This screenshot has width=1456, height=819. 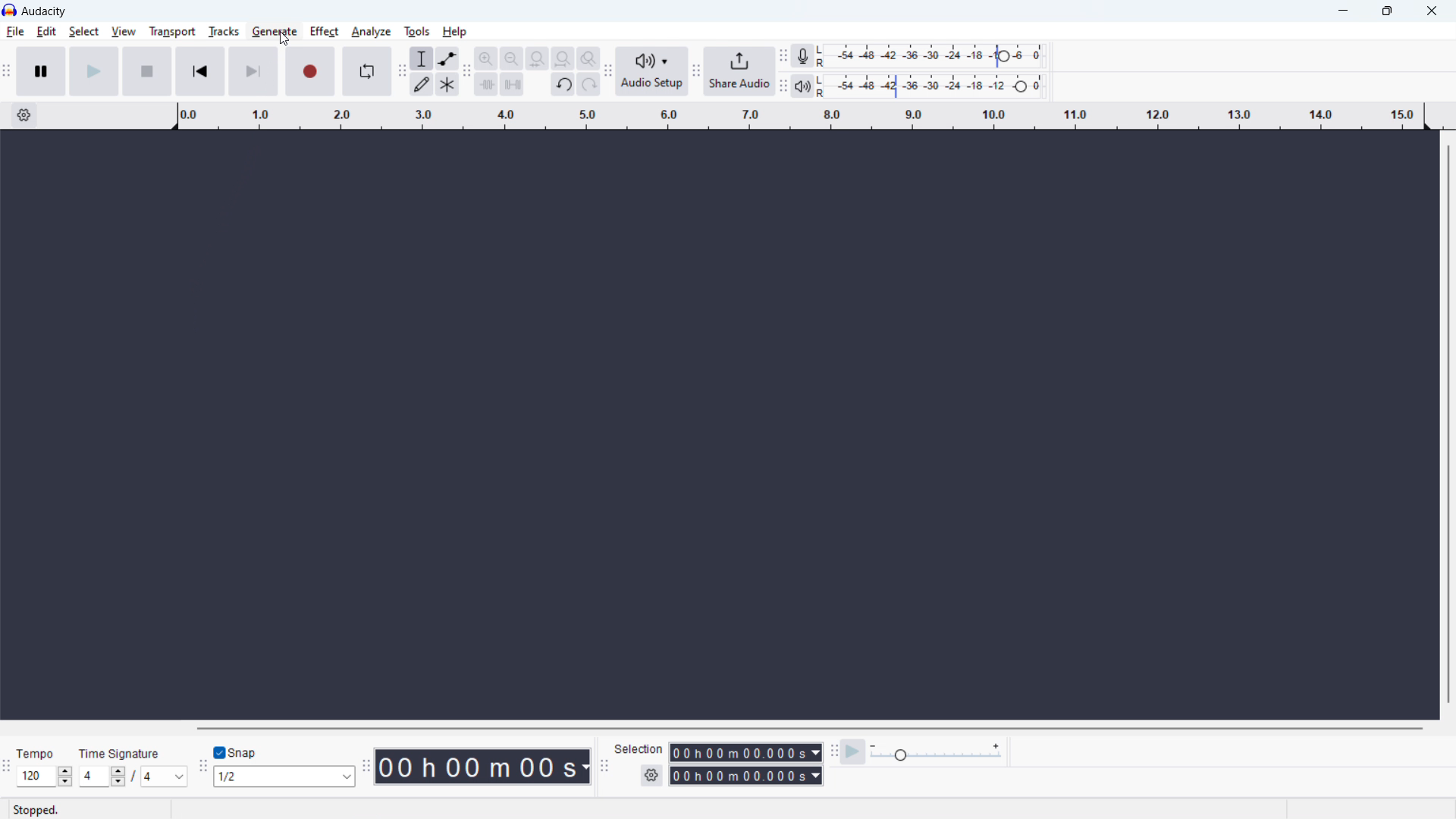 What do you see at coordinates (147, 71) in the screenshot?
I see `stop` at bounding box center [147, 71].